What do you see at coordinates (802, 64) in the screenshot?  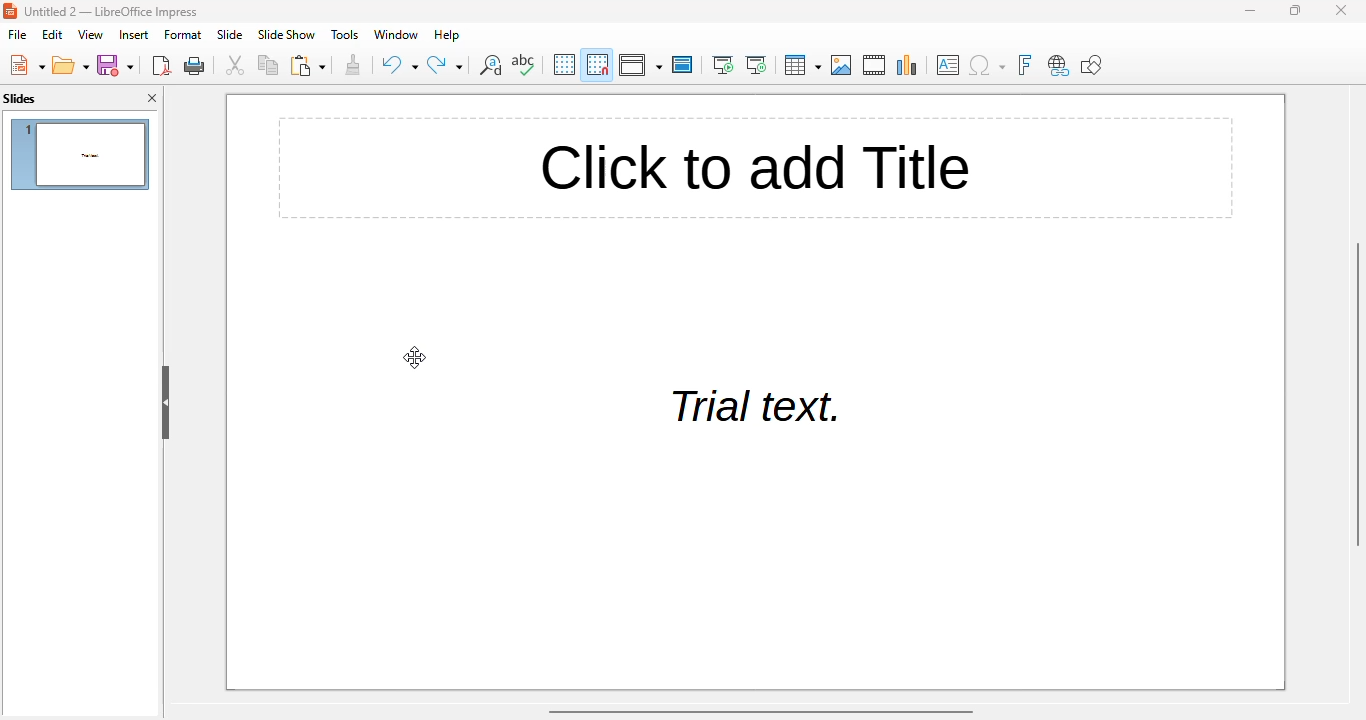 I see `table` at bounding box center [802, 64].